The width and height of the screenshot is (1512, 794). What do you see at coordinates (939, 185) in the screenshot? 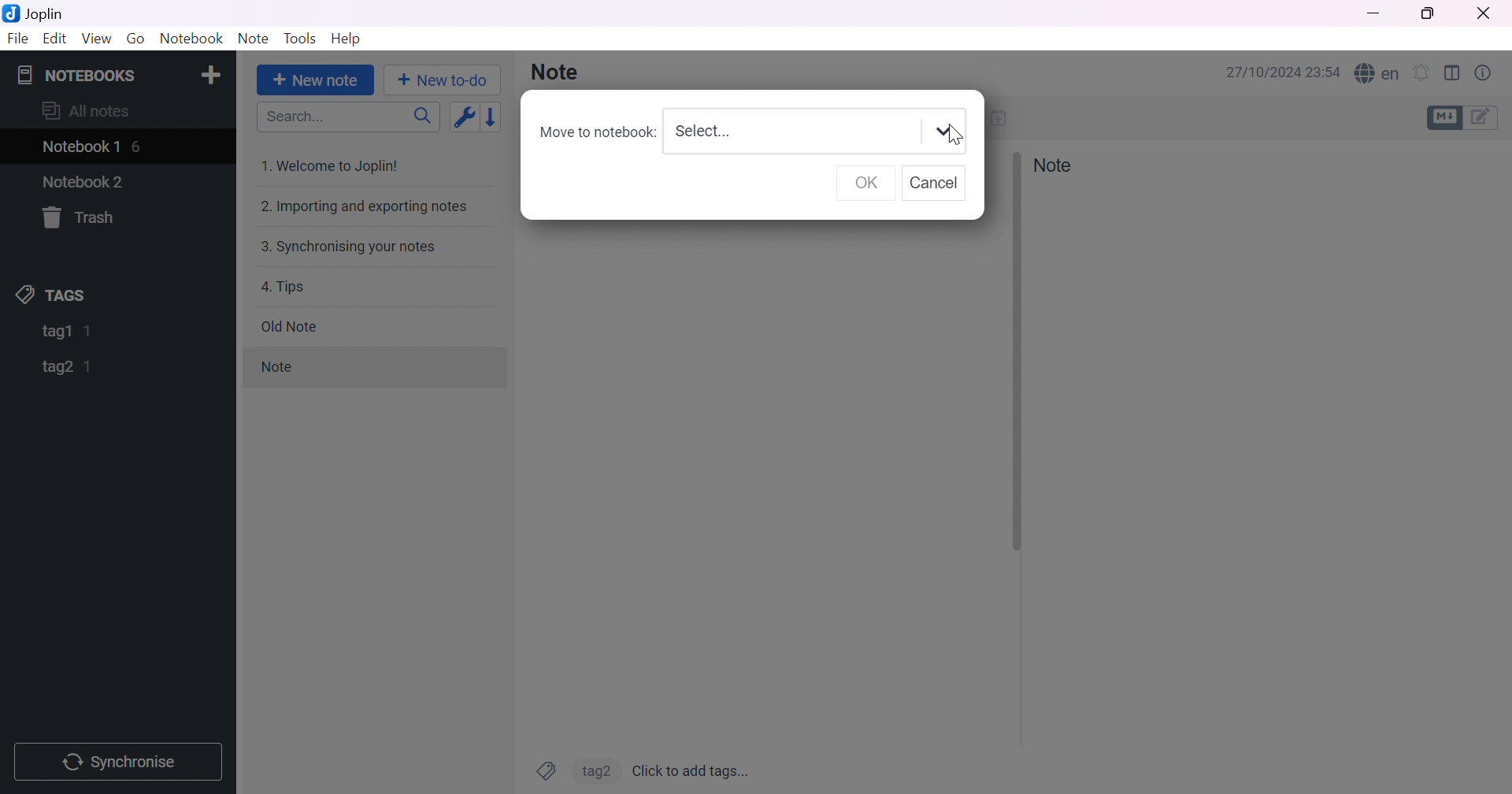
I see `Cancel` at bounding box center [939, 185].